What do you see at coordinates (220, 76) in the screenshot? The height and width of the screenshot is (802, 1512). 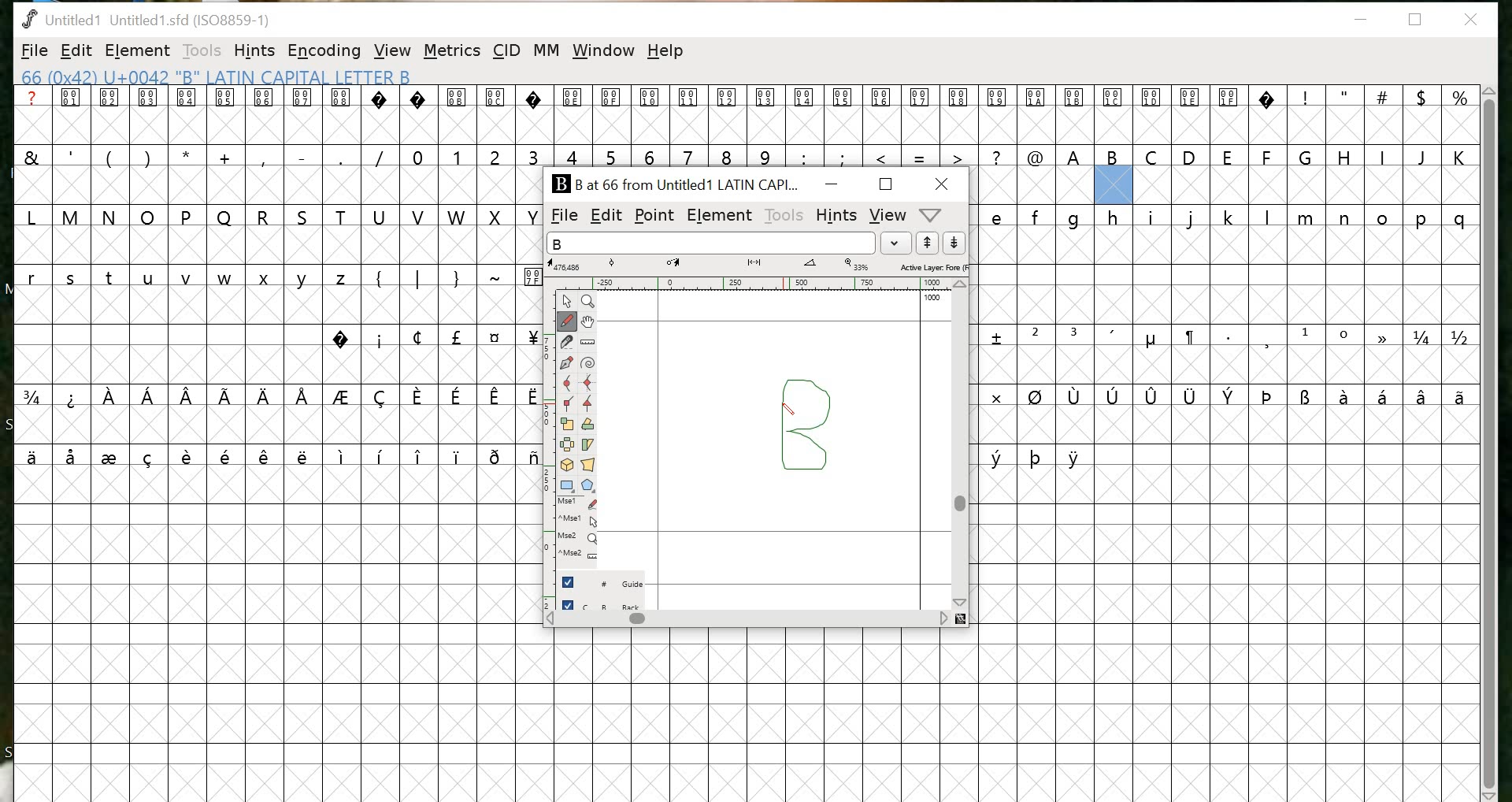 I see ` 66 (0x42) U+0042 "B" LATIN CAPITAL LETTER B` at bounding box center [220, 76].